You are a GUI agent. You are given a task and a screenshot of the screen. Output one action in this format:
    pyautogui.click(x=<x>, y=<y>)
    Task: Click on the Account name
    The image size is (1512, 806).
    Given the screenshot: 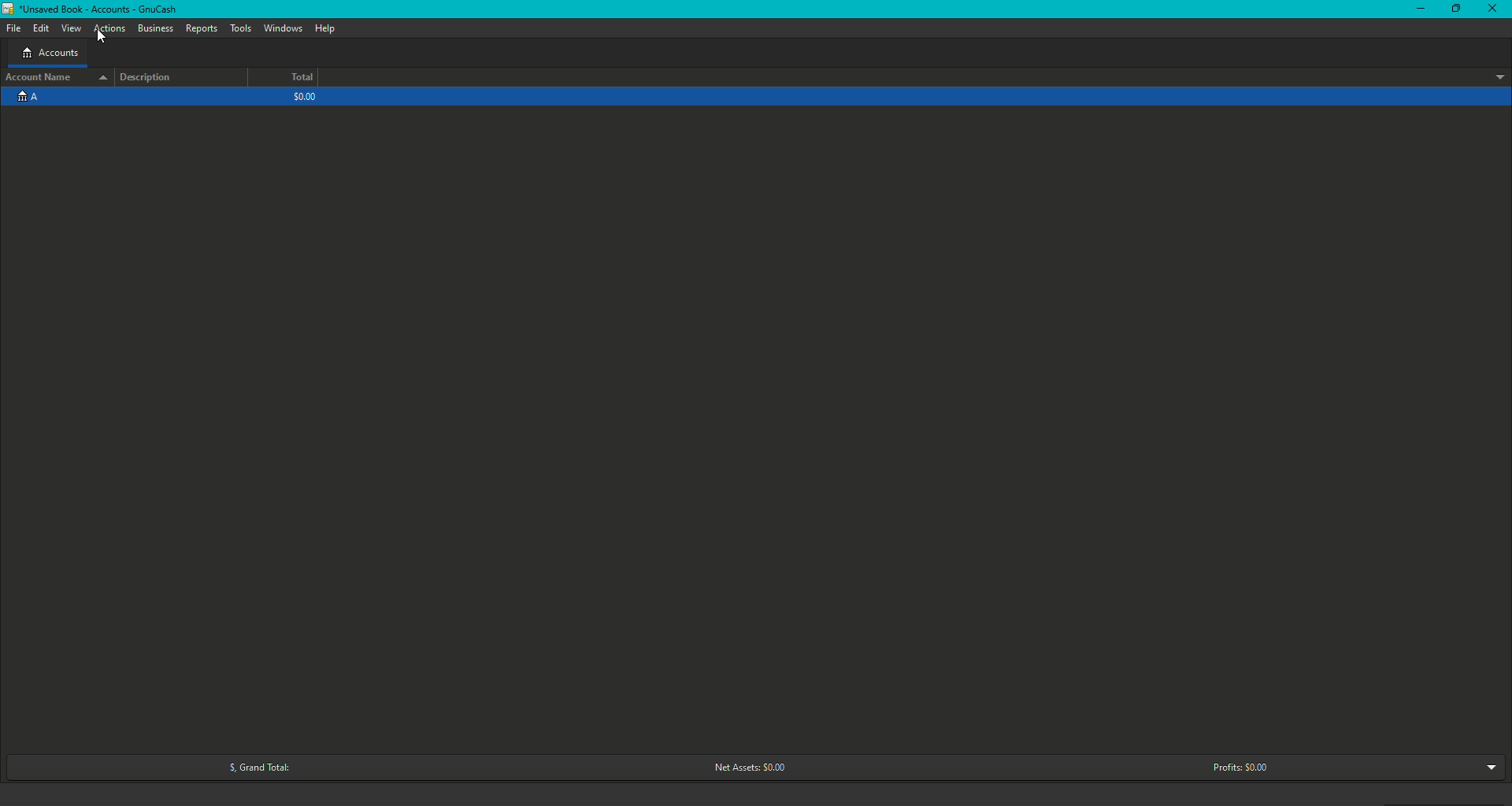 What is the action you would take?
    pyautogui.click(x=54, y=77)
    